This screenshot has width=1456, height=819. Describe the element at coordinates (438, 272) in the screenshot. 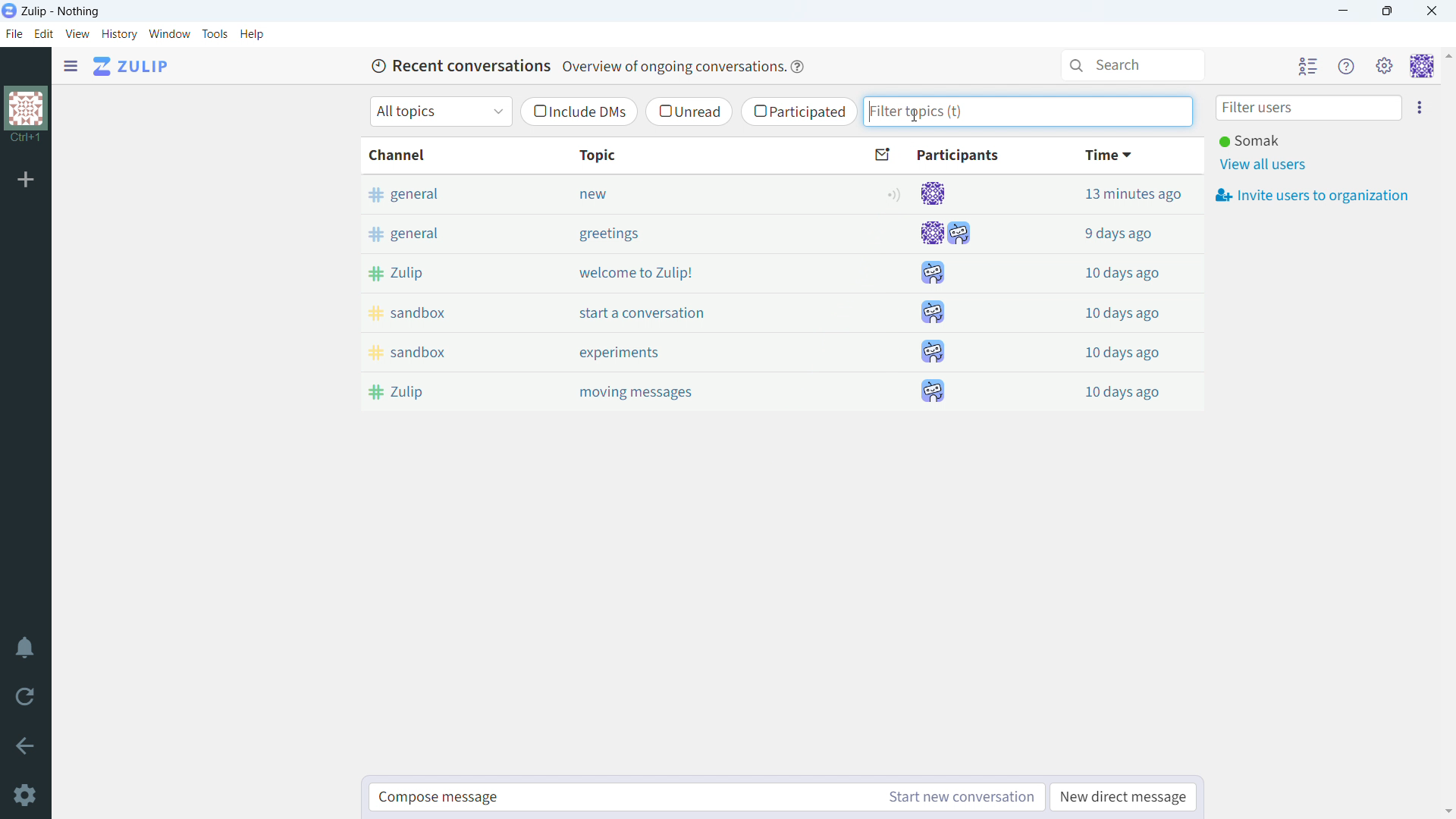

I see `zulip` at that location.